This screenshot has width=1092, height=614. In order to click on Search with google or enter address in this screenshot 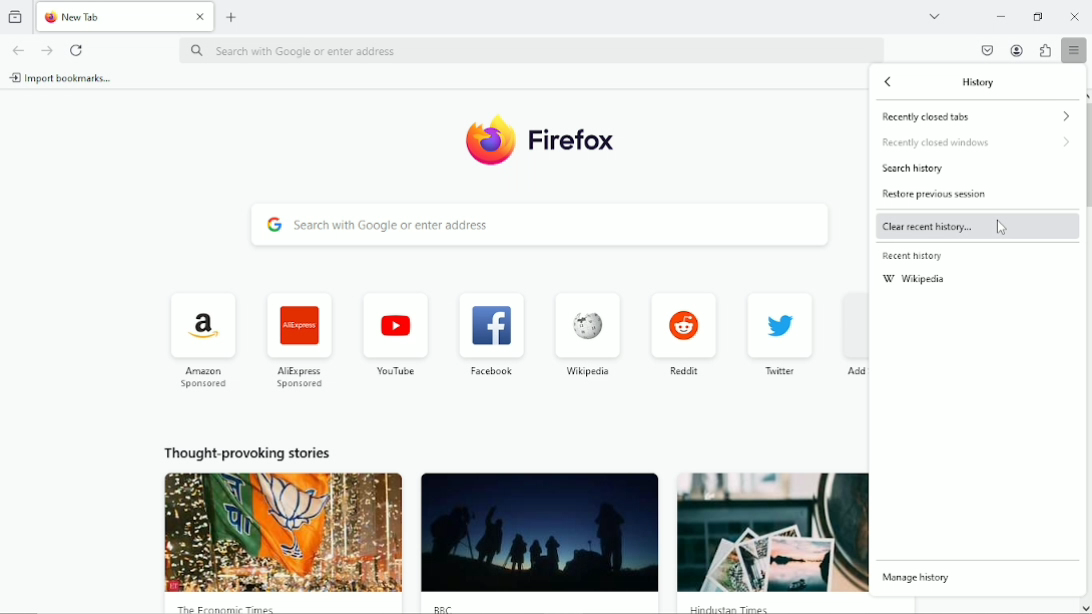, I will do `click(542, 225)`.